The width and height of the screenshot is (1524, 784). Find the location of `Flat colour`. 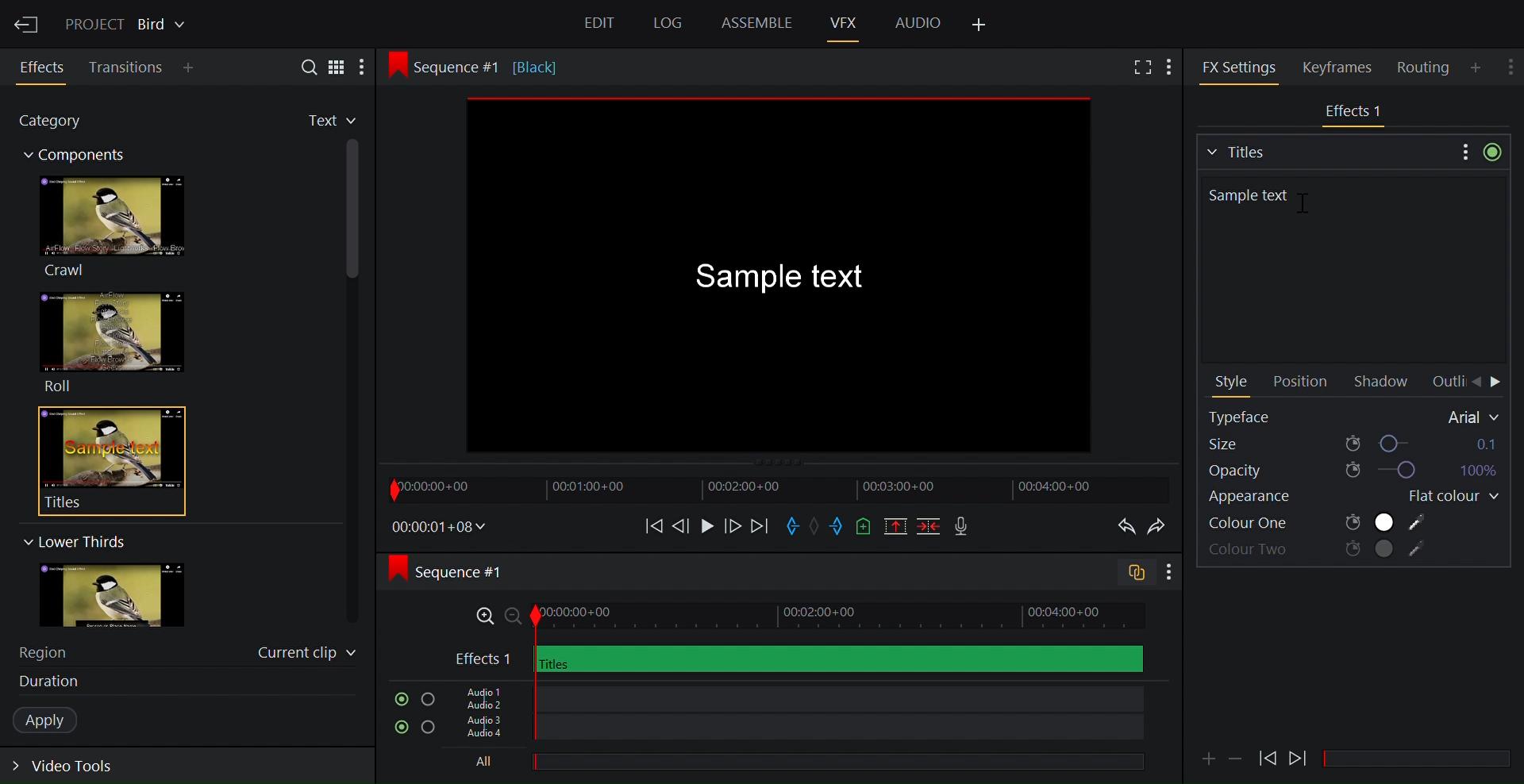

Flat colour is located at coordinates (1447, 497).